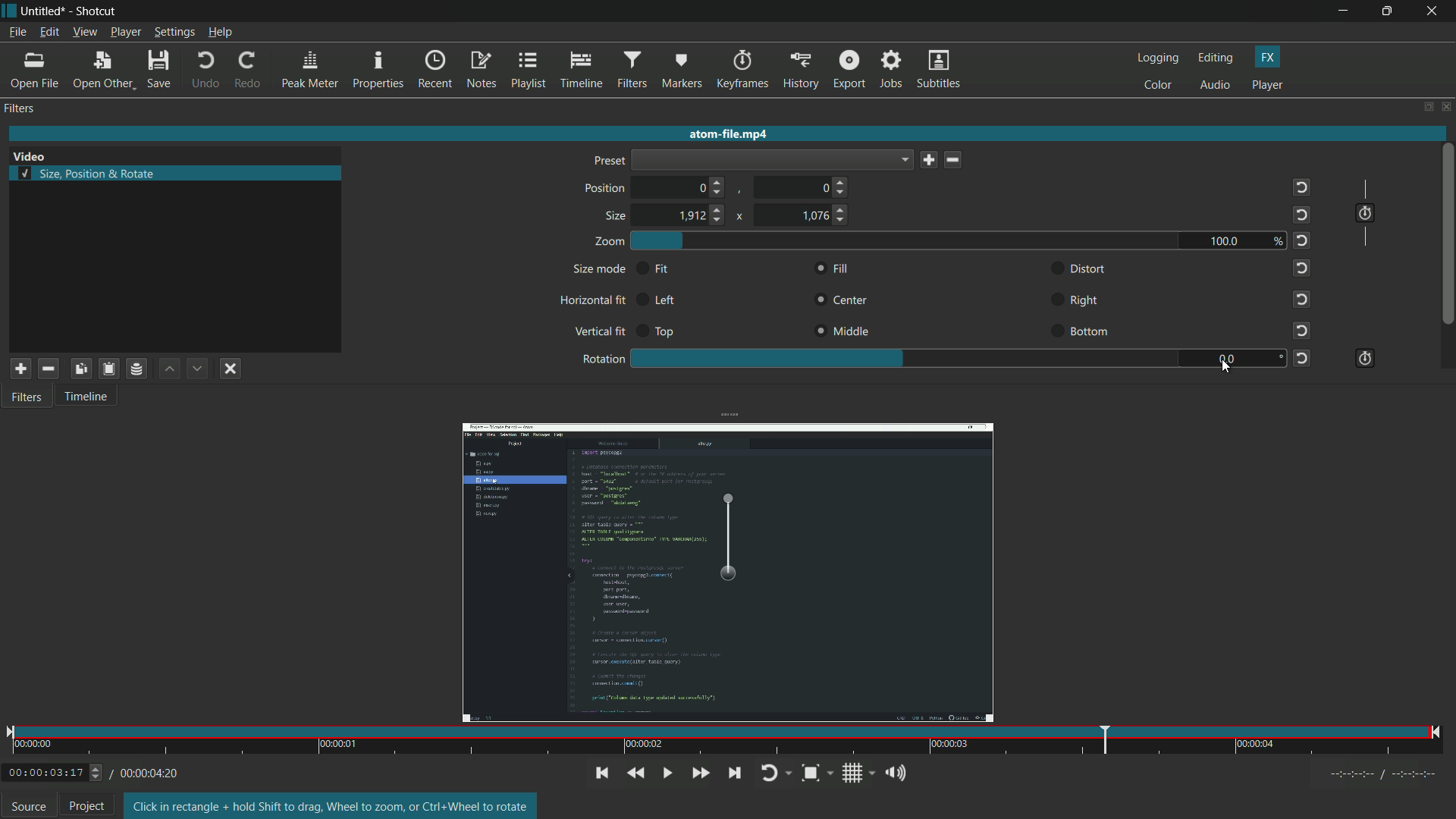  I want to click on delete, so click(952, 159).